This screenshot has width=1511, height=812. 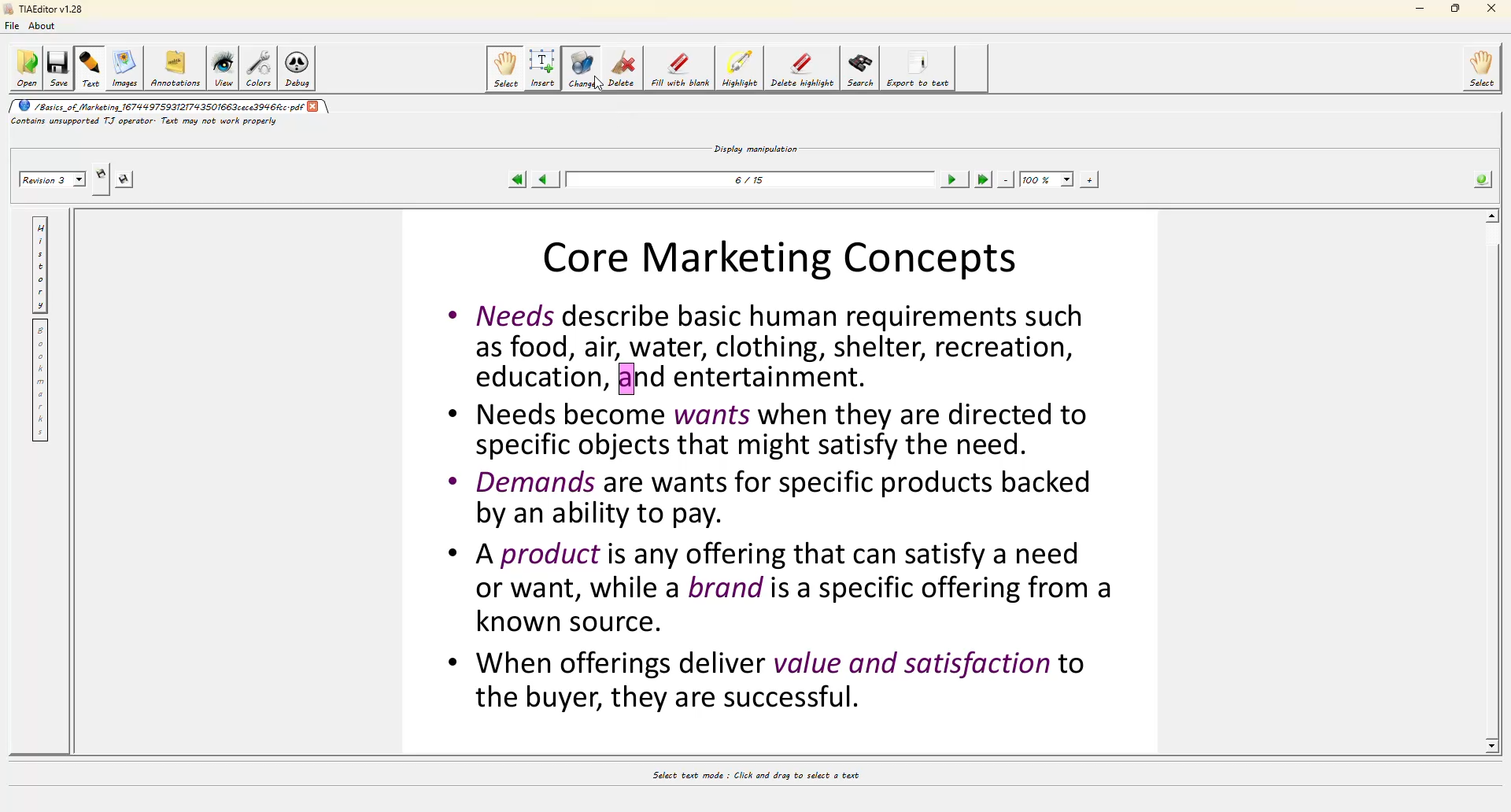 What do you see at coordinates (984, 179) in the screenshot?
I see `last page` at bounding box center [984, 179].